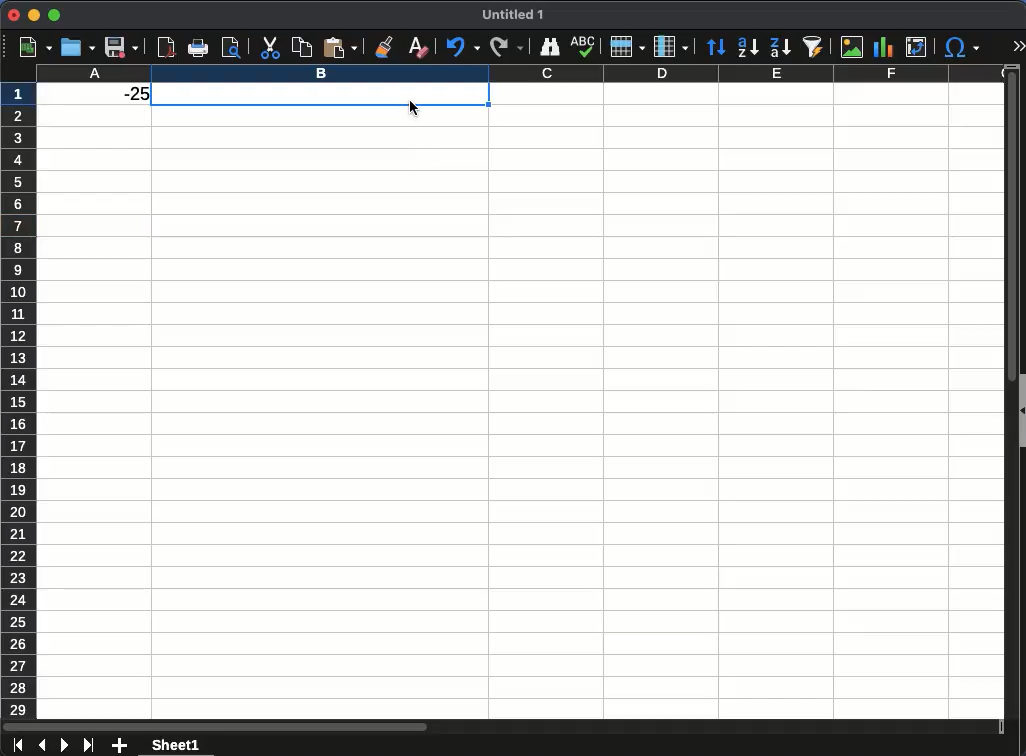 Image resolution: width=1026 pixels, height=756 pixels. I want to click on special character, so click(962, 47).